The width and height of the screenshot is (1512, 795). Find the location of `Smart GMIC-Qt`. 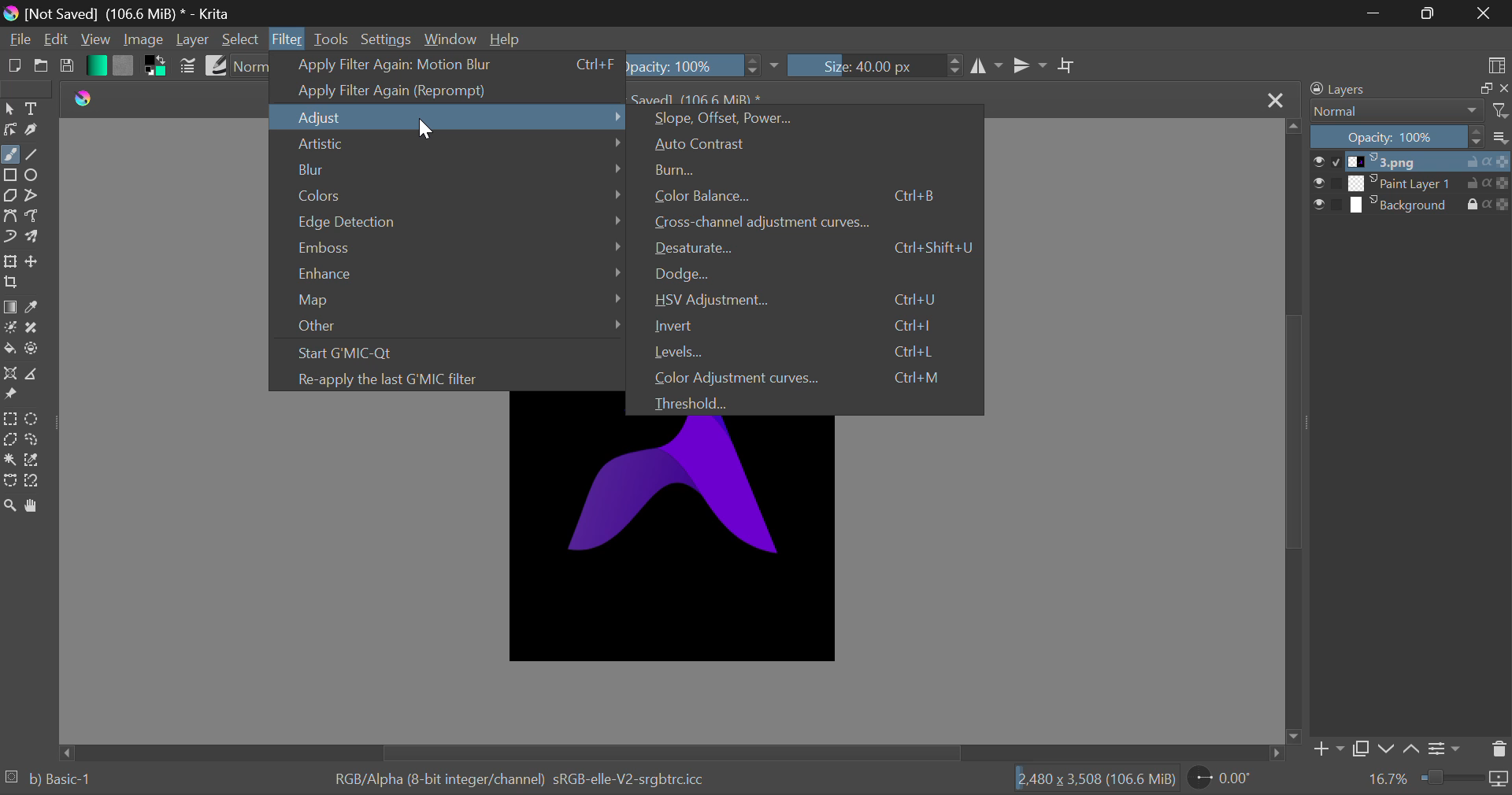

Smart GMIC-Qt is located at coordinates (458, 355).